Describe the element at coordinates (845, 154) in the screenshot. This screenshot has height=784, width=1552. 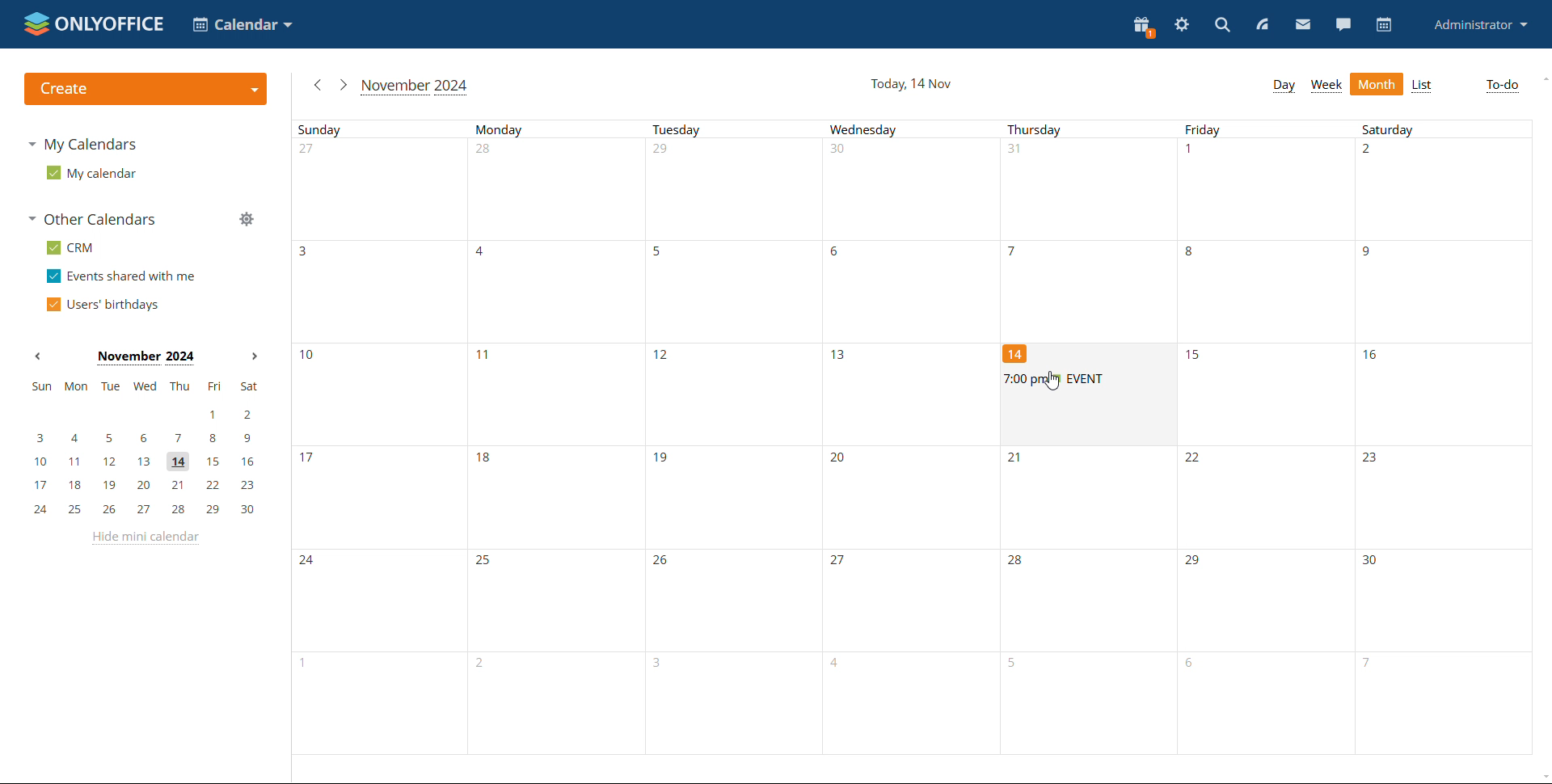
I see `number` at that location.